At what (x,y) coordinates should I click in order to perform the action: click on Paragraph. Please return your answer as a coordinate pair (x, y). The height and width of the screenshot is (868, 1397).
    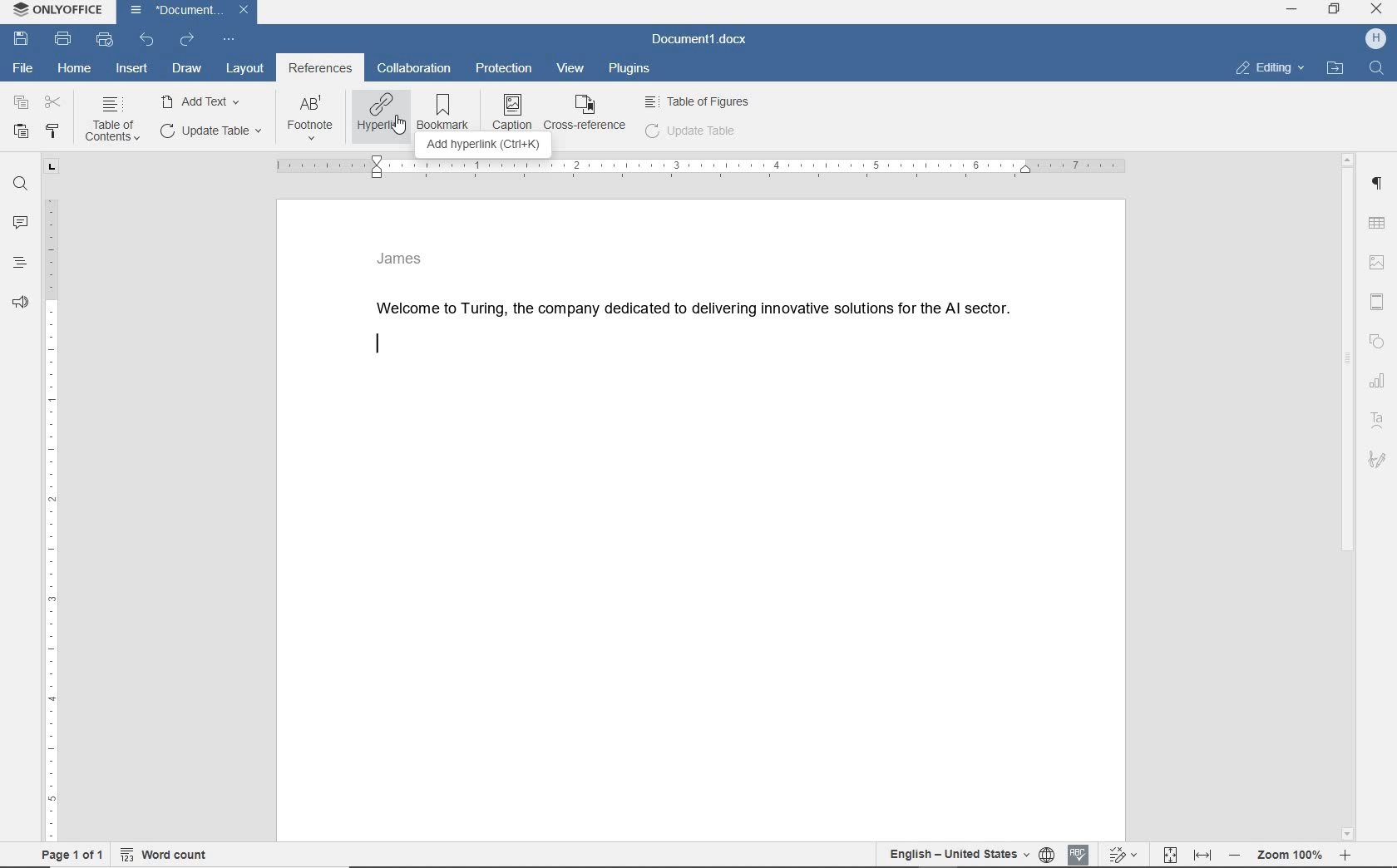
    Looking at the image, I should click on (1381, 184).